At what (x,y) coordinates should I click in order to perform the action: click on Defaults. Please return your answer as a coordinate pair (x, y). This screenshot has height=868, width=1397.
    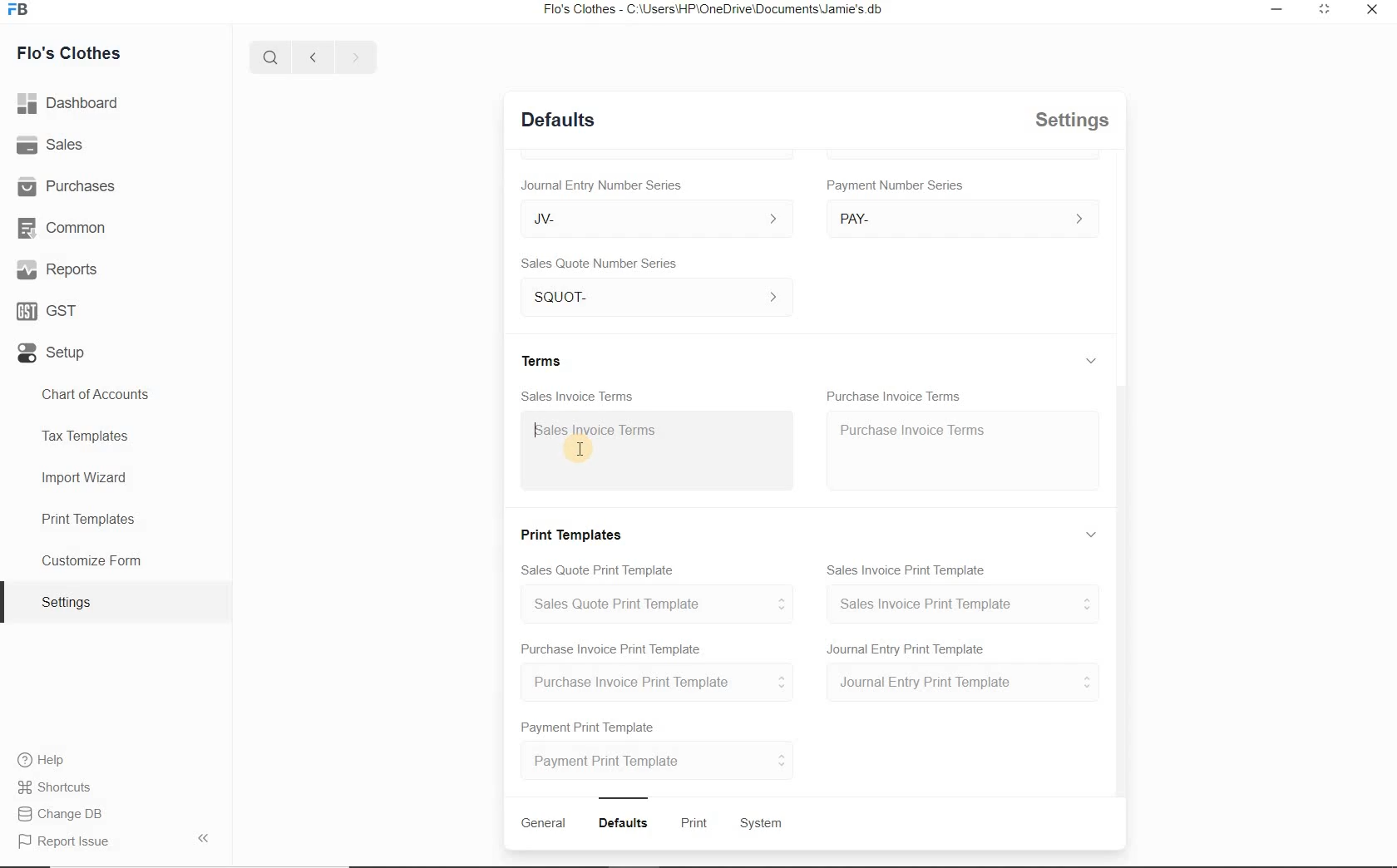
    Looking at the image, I should click on (626, 823).